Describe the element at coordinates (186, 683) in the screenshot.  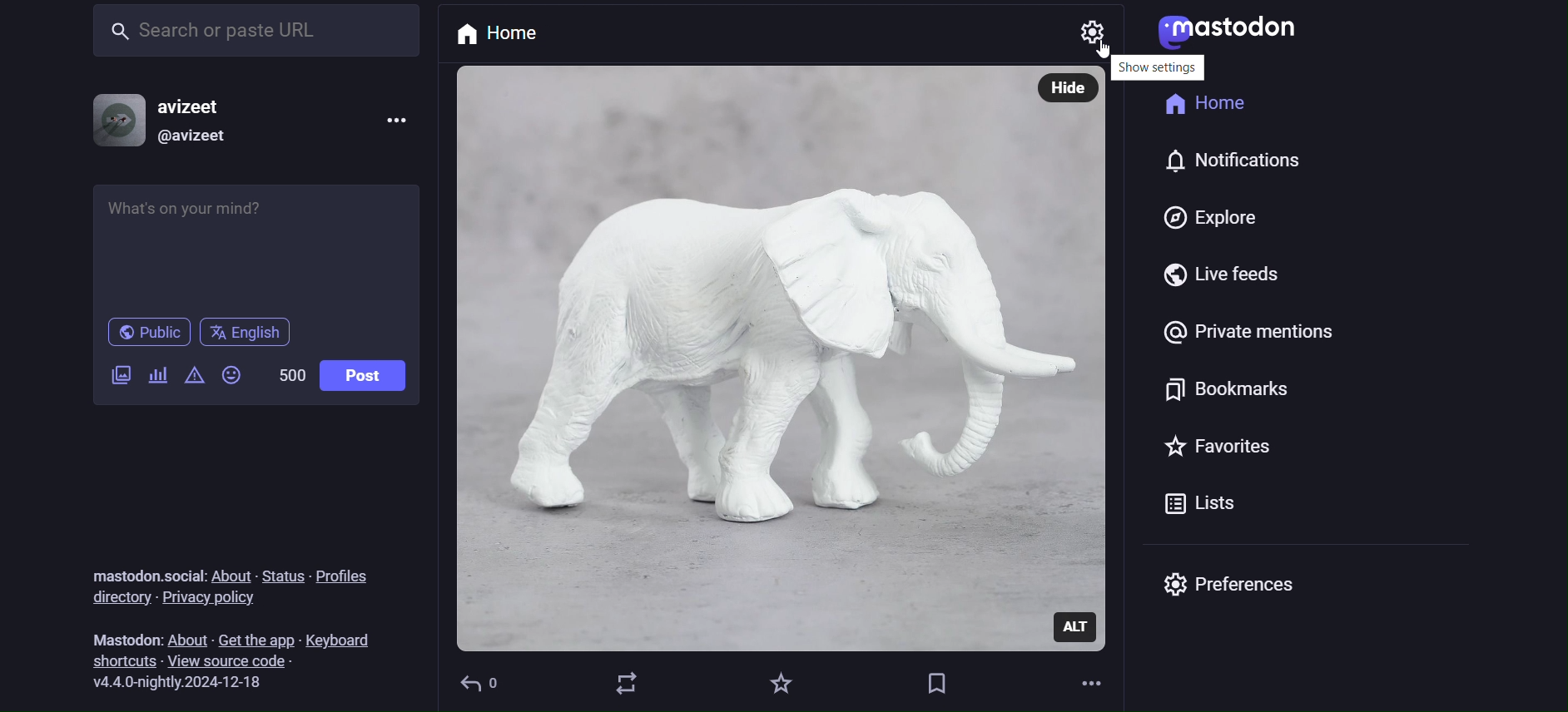
I see `v4.4.0-nightly.2024-12-18` at that location.